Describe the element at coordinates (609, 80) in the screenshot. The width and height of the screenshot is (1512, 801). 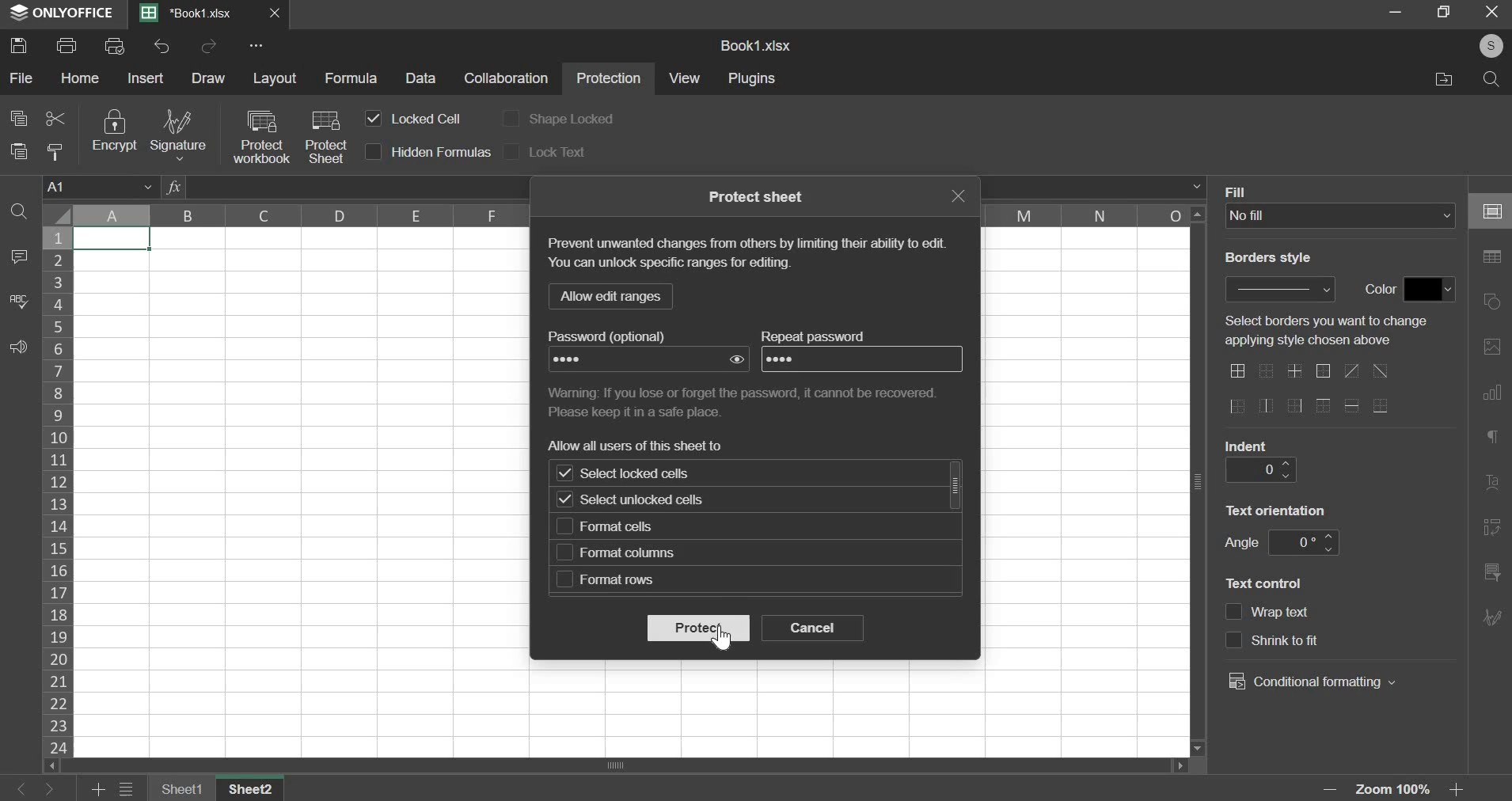
I see `protection` at that location.